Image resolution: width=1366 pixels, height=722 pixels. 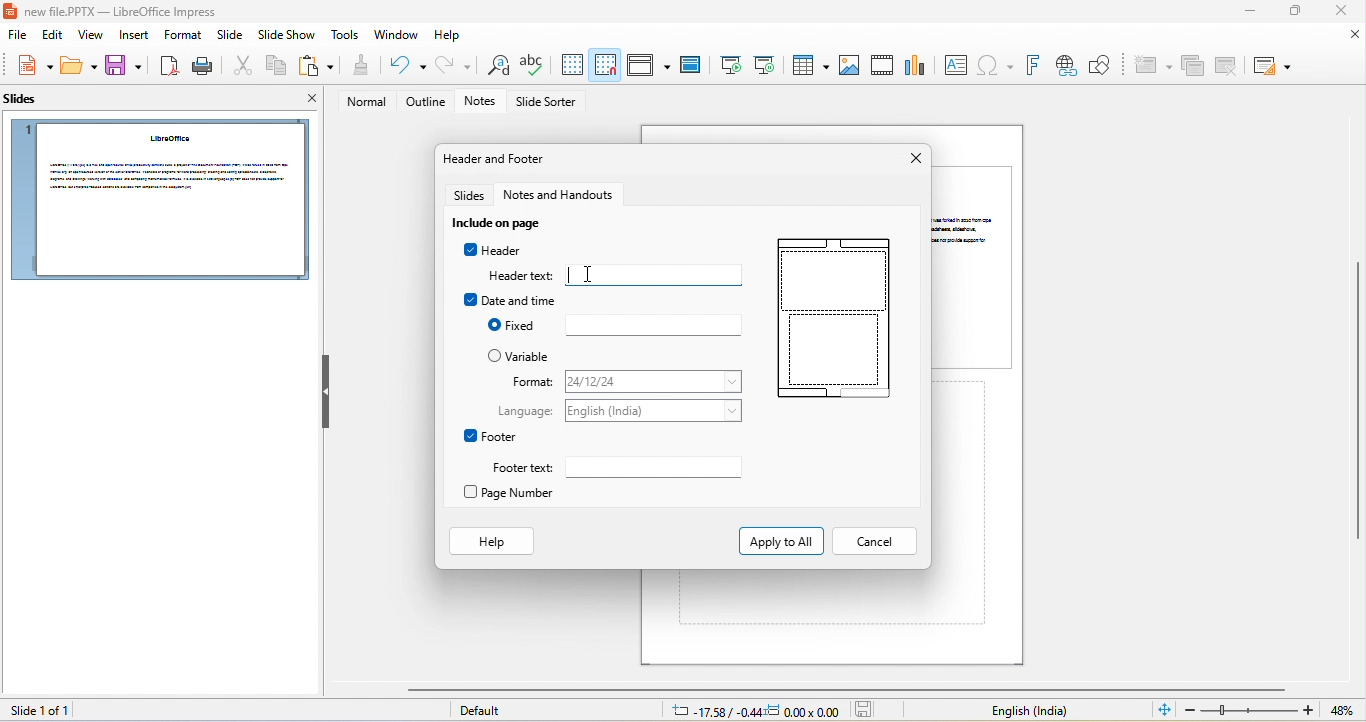 I want to click on slides, so click(x=28, y=103).